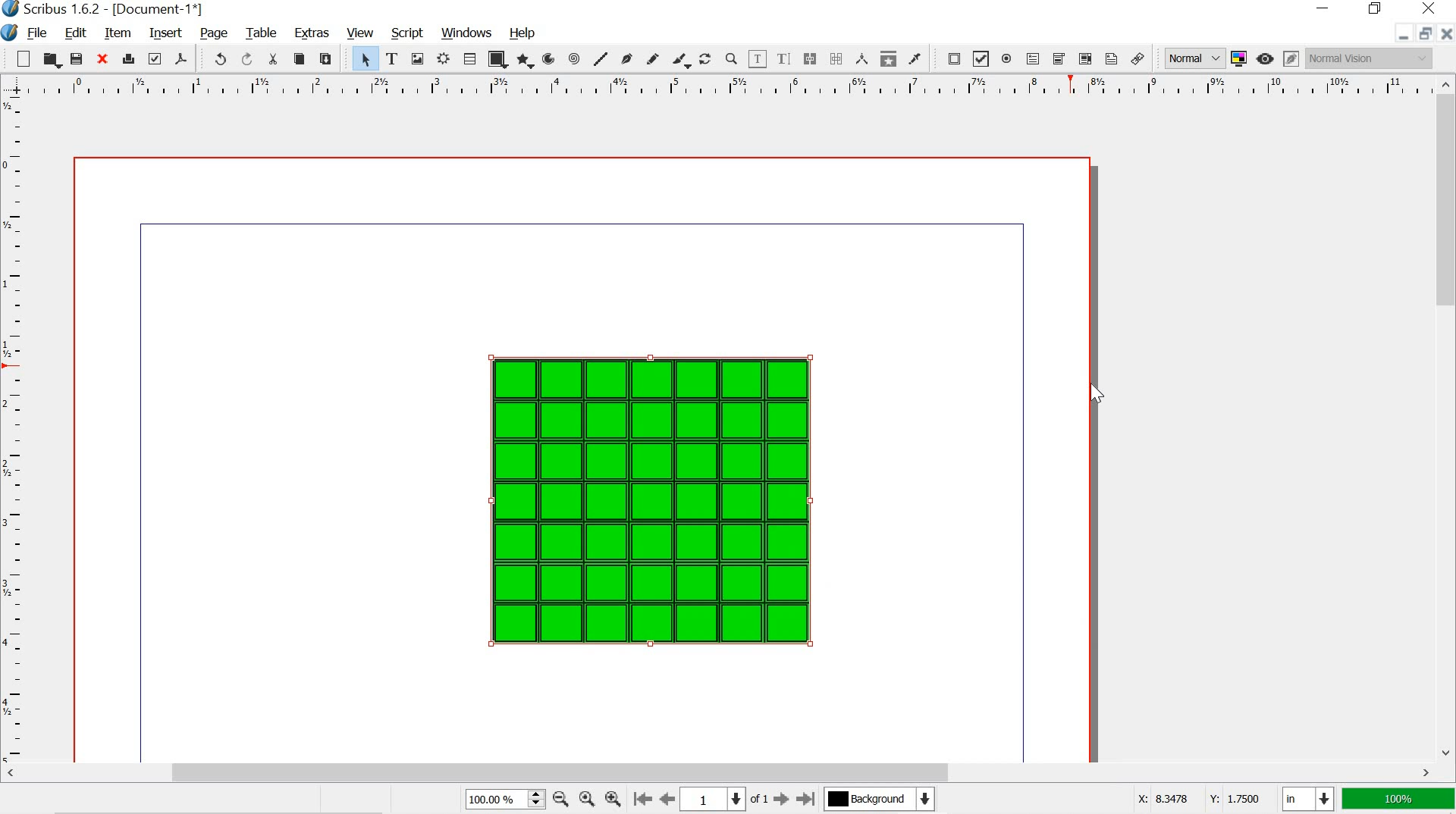 This screenshot has height=814, width=1456. What do you see at coordinates (732, 800) in the screenshot?
I see `page numbers` at bounding box center [732, 800].